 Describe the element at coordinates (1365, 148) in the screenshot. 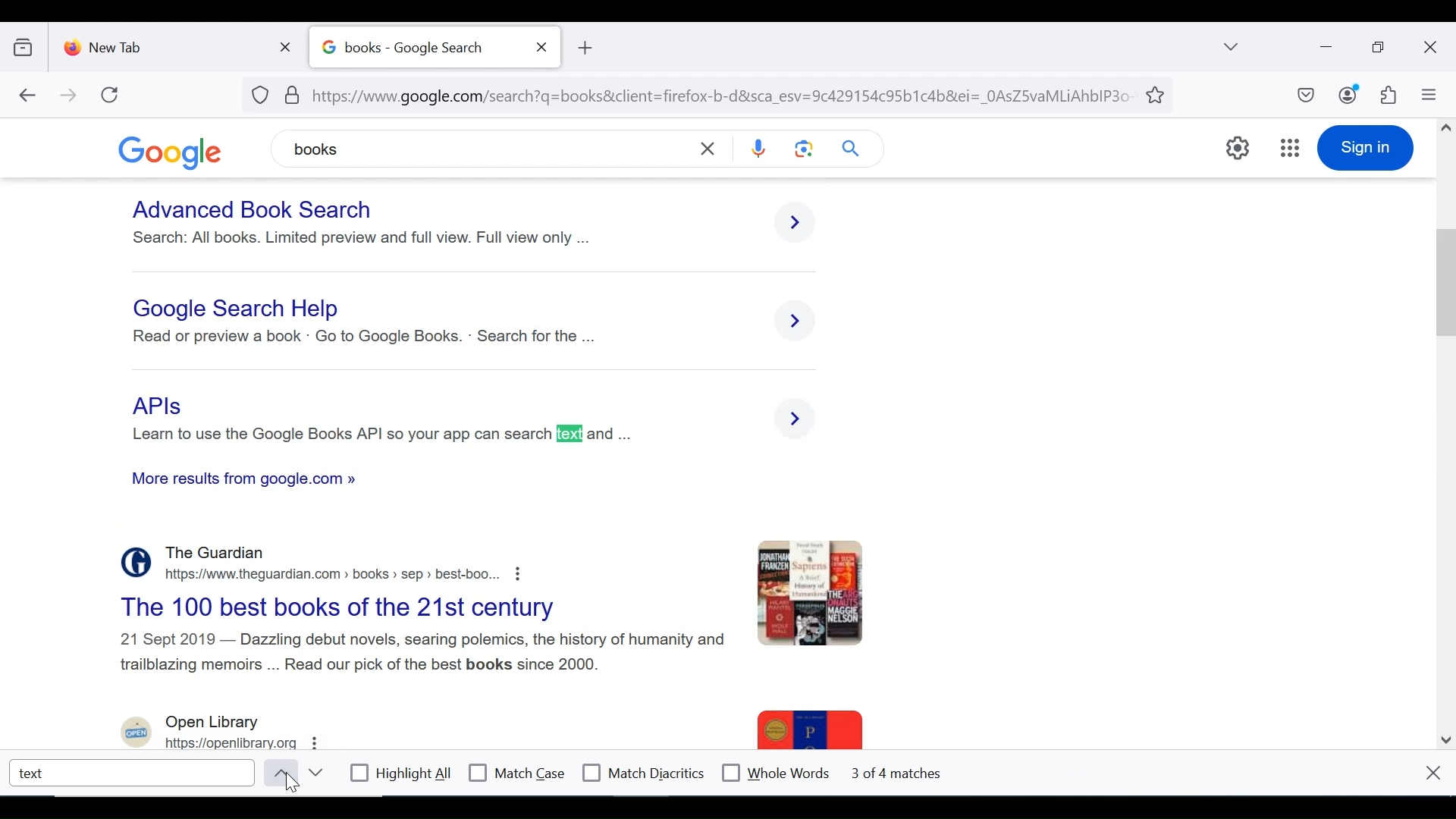

I see `sign in` at that location.